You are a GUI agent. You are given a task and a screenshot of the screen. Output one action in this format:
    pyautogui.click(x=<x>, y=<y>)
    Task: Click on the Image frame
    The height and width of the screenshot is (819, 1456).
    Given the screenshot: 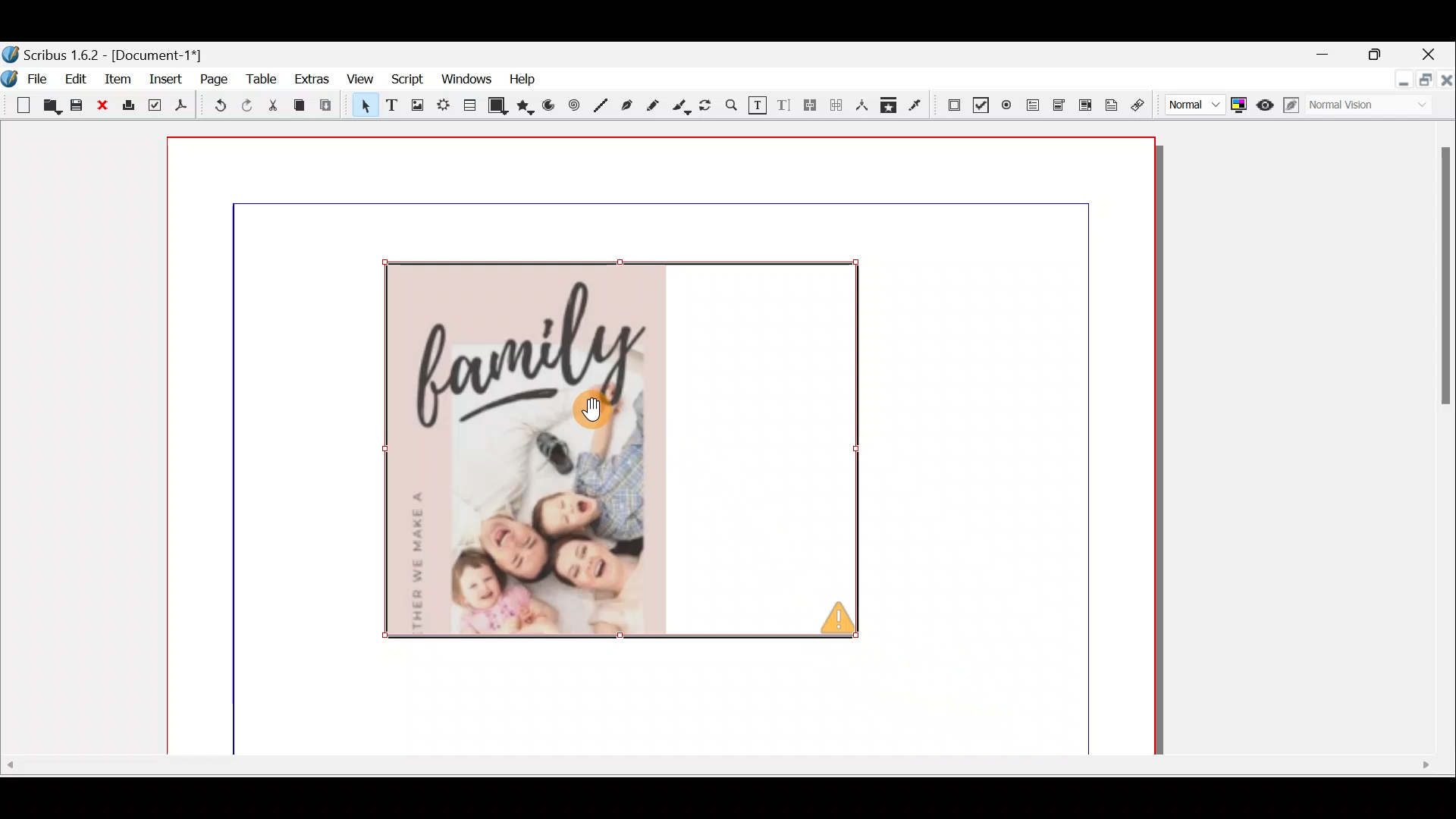 What is the action you would take?
    pyautogui.click(x=413, y=105)
    